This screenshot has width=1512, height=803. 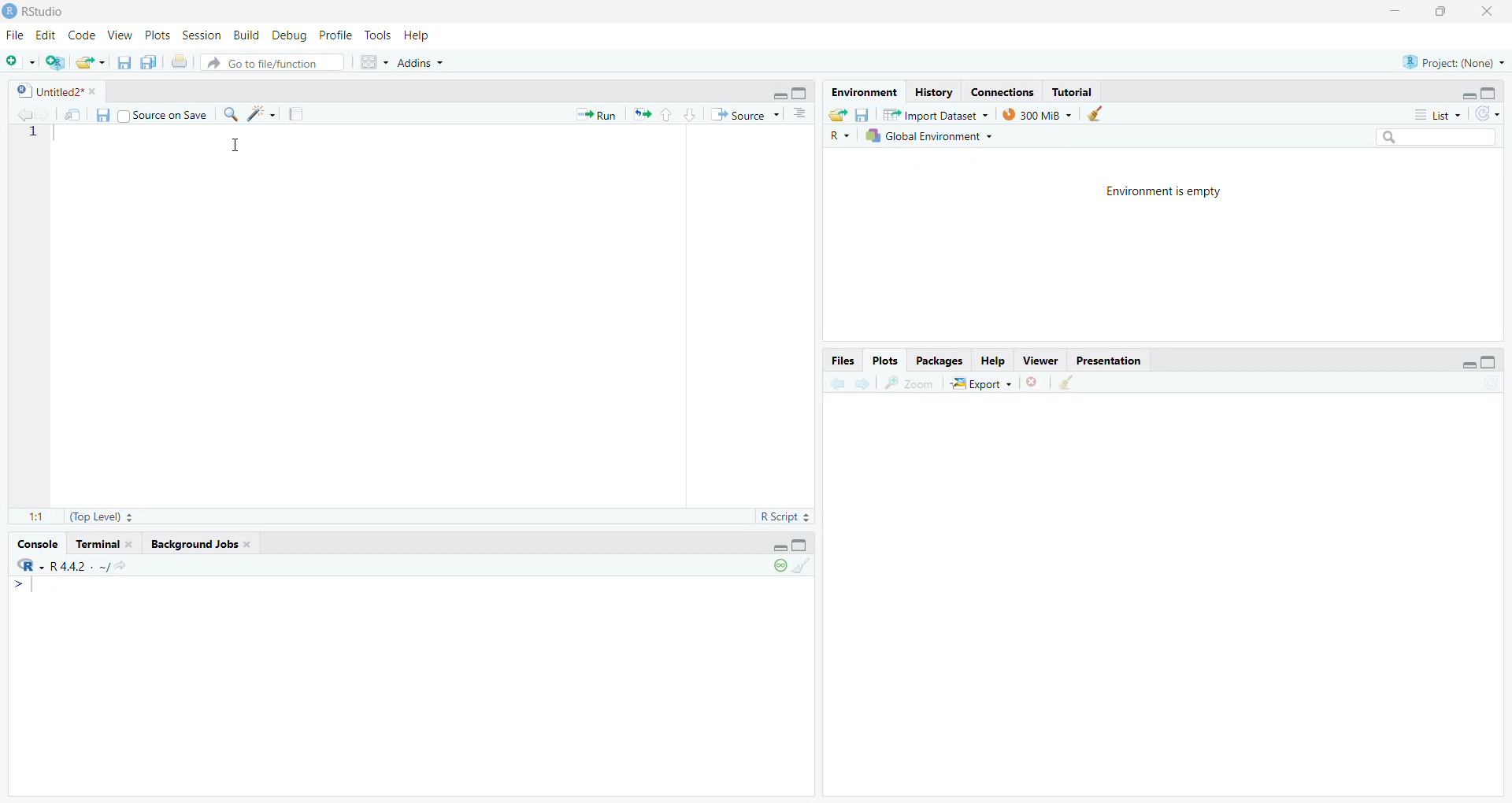 What do you see at coordinates (158, 37) in the screenshot?
I see `Plots` at bounding box center [158, 37].